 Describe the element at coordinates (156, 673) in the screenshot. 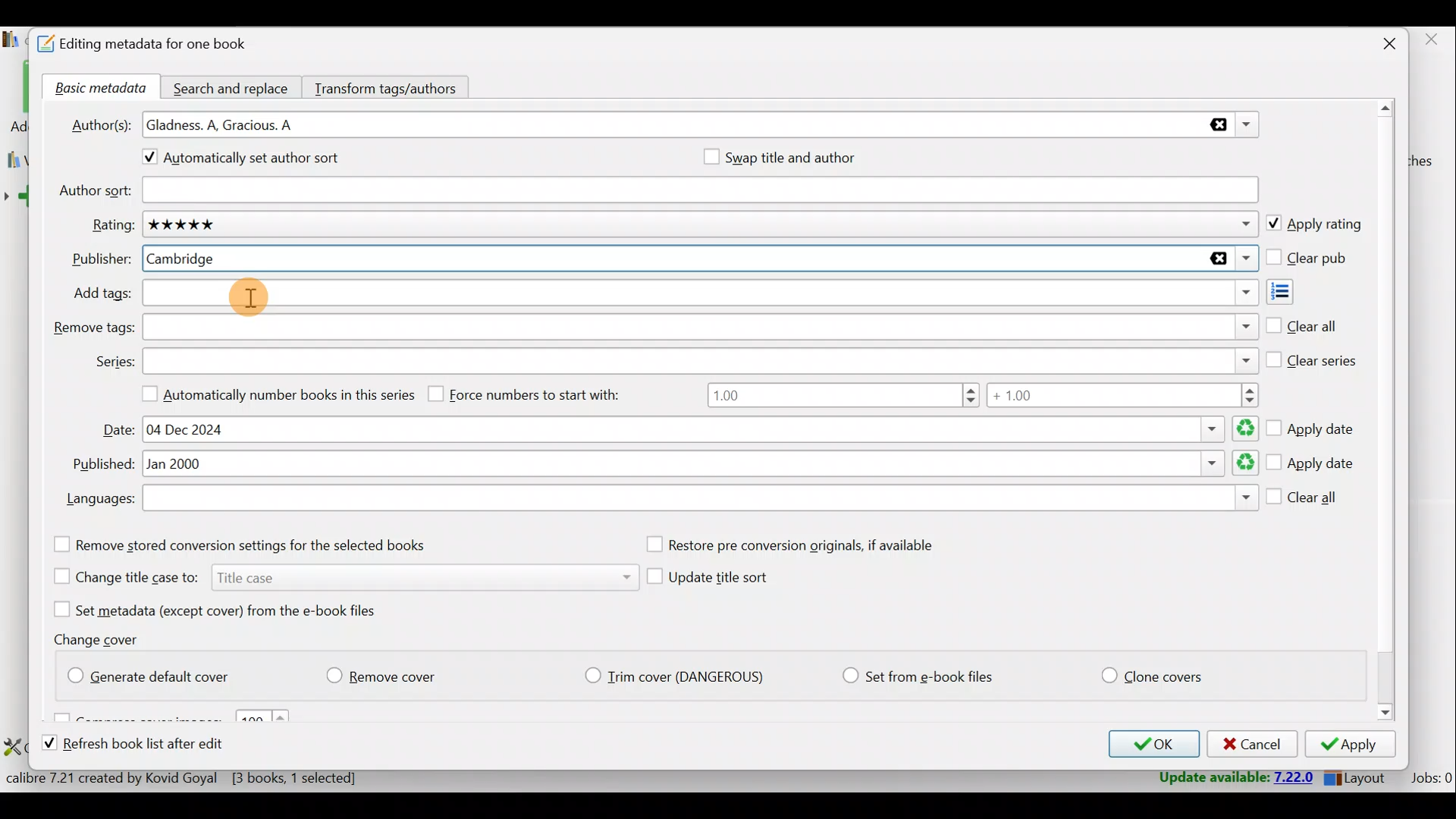

I see `Generate default cover` at that location.